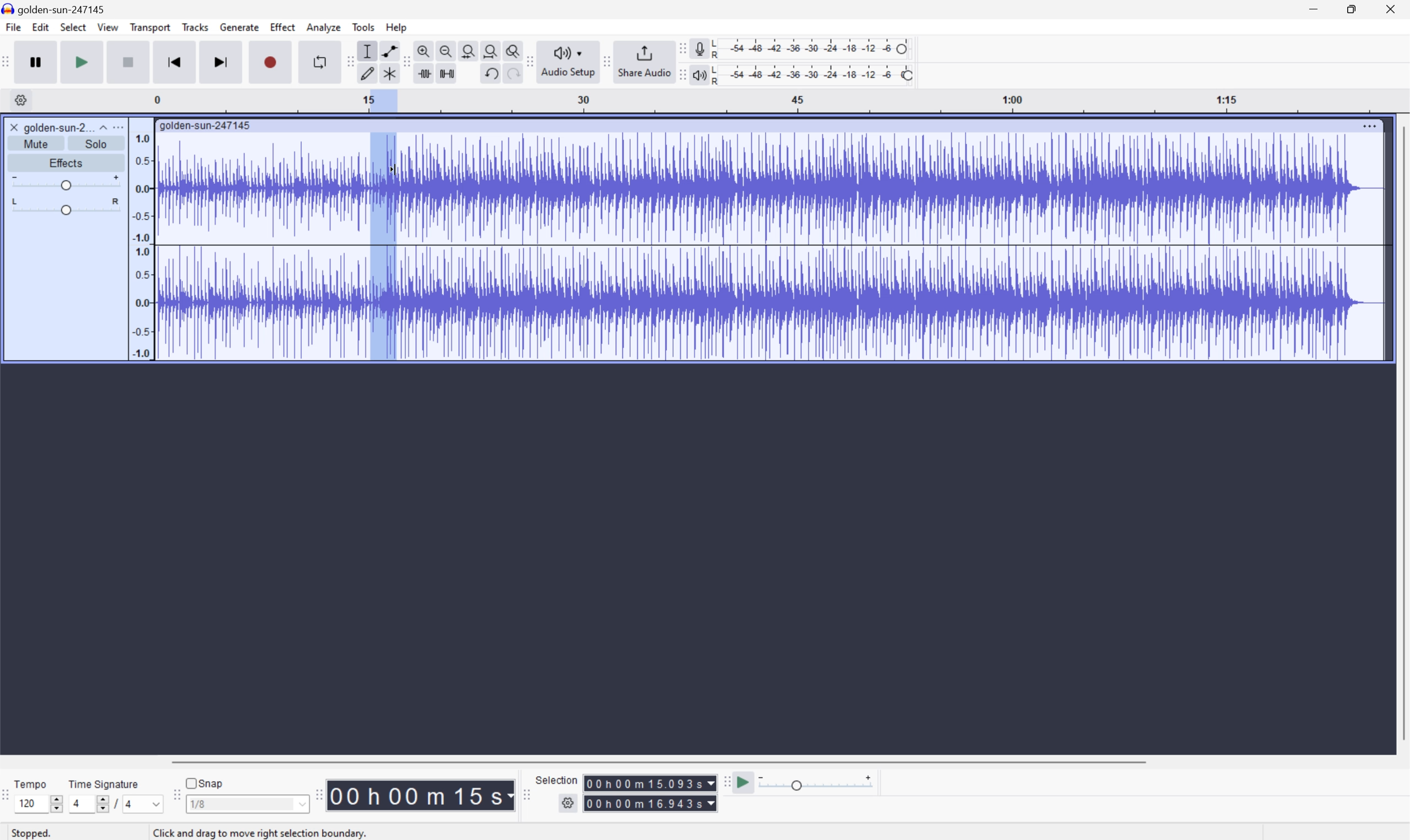 The width and height of the screenshot is (1410, 840). What do you see at coordinates (514, 49) in the screenshot?
I see `Zoom toggle` at bounding box center [514, 49].